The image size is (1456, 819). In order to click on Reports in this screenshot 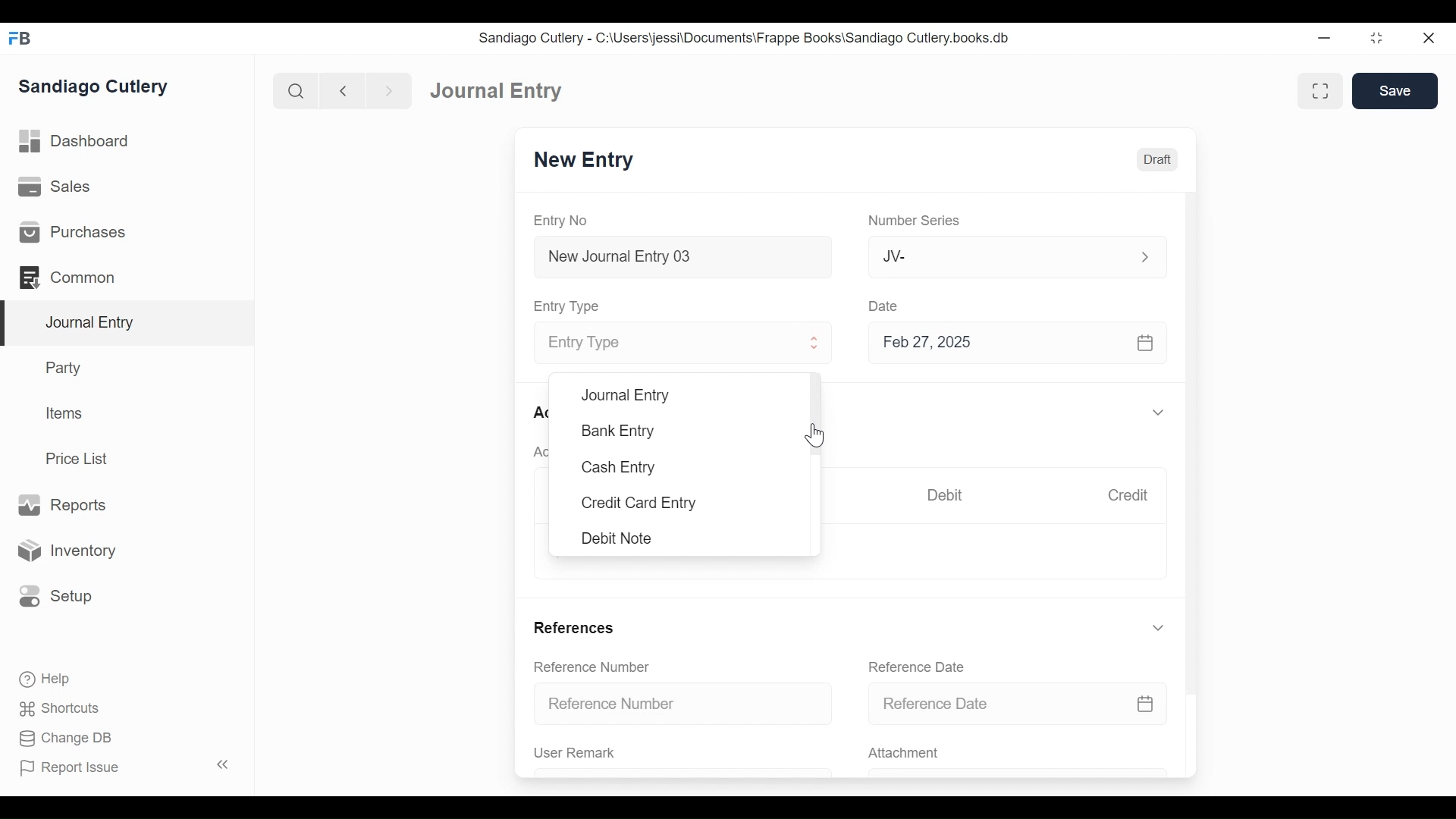, I will do `click(67, 505)`.